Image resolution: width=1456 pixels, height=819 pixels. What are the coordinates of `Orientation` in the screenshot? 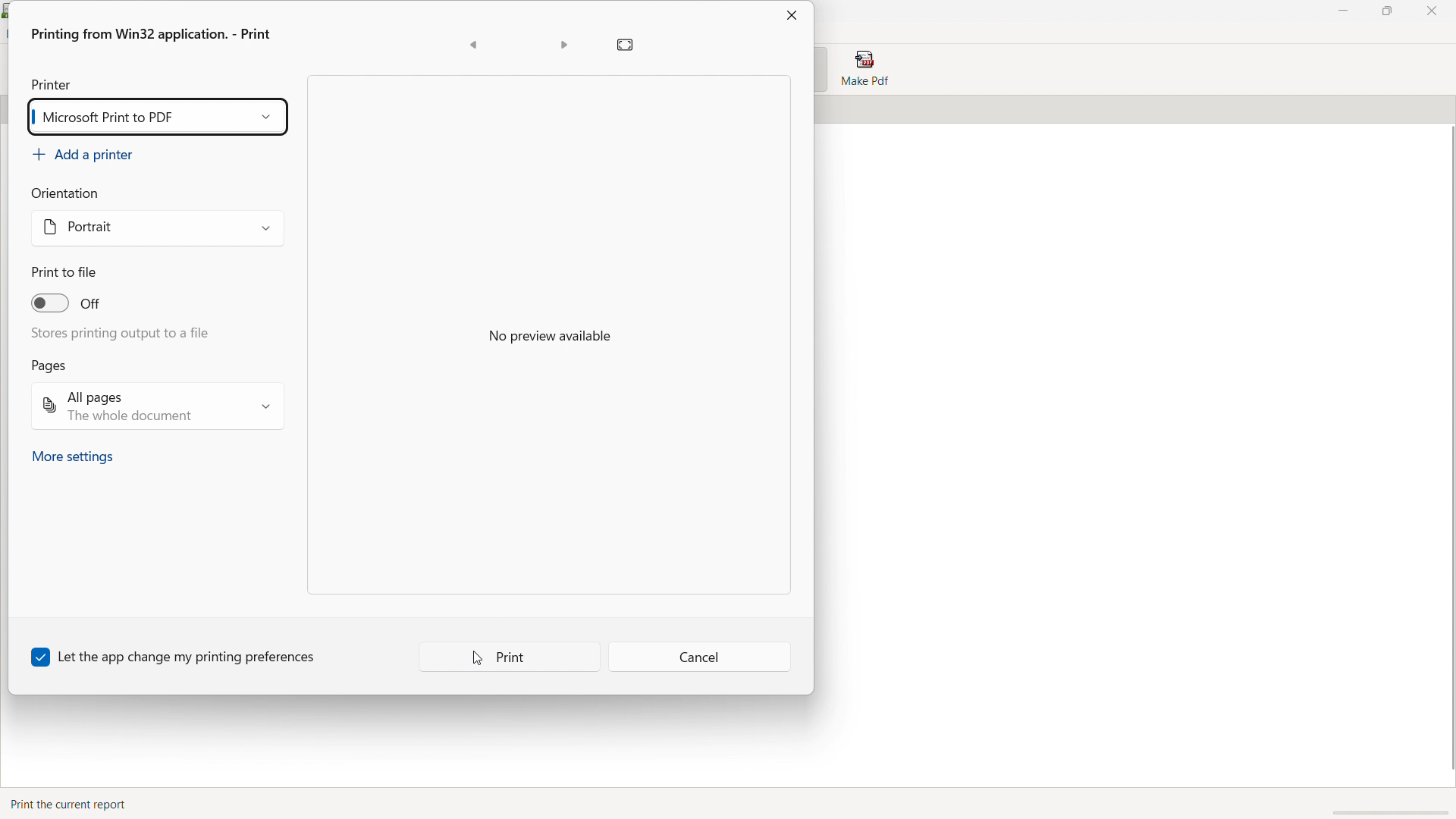 It's located at (71, 193).